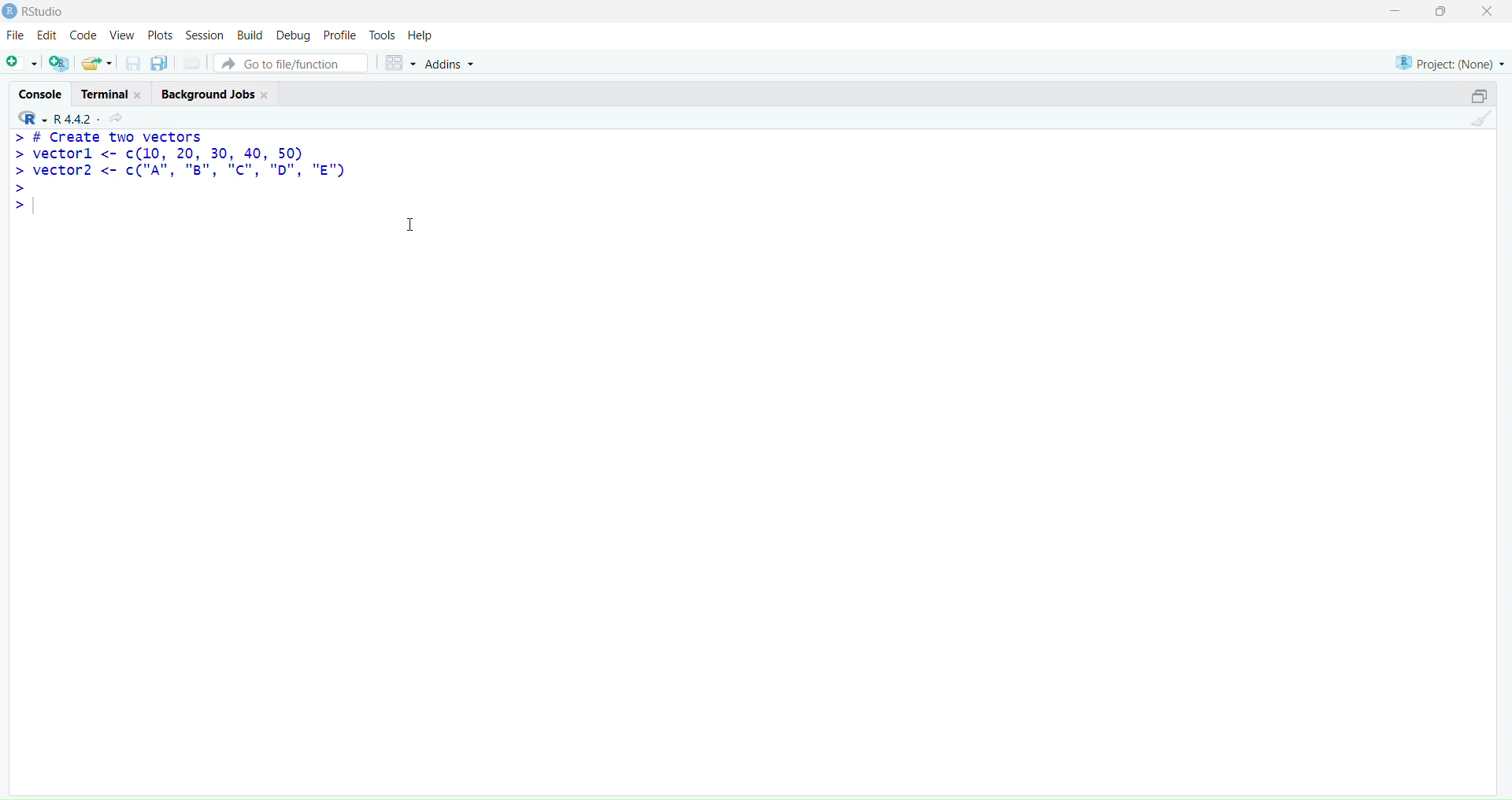  What do you see at coordinates (449, 64) in the screenshot?
I see `Addins` at bounding box center [449, 64].